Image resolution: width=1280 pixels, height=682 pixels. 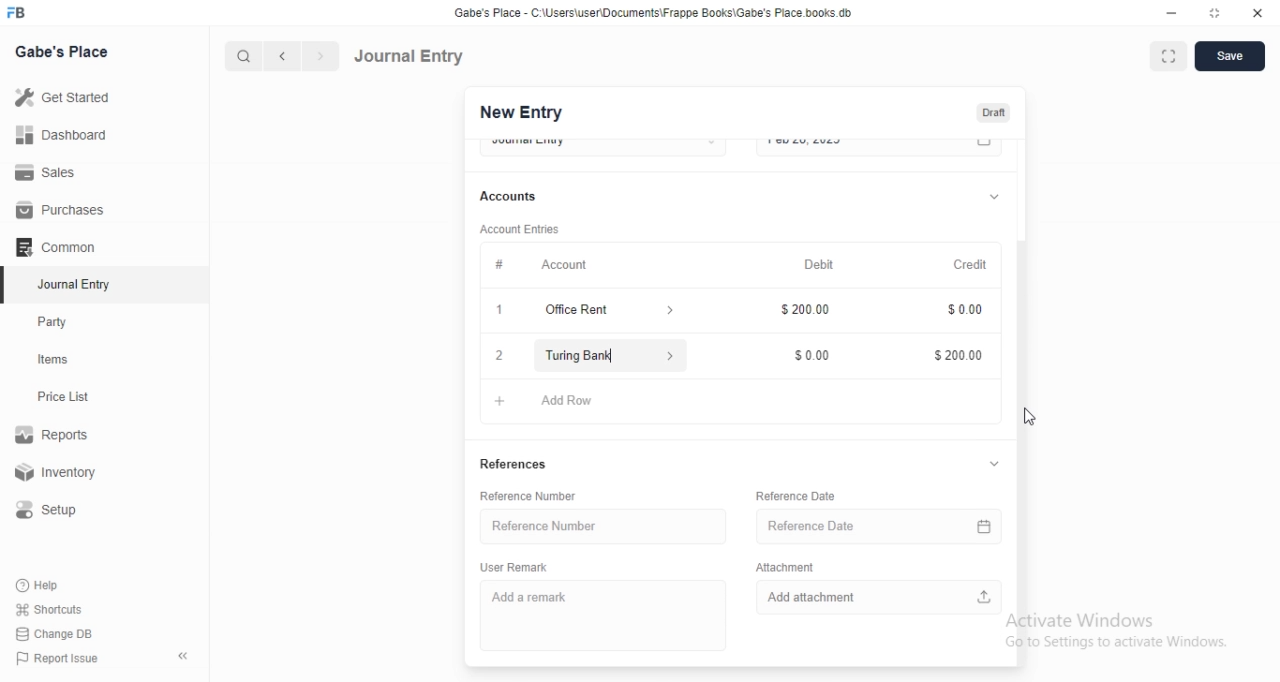 I want to click on ‘Attachment, so click(x=801, y=567).